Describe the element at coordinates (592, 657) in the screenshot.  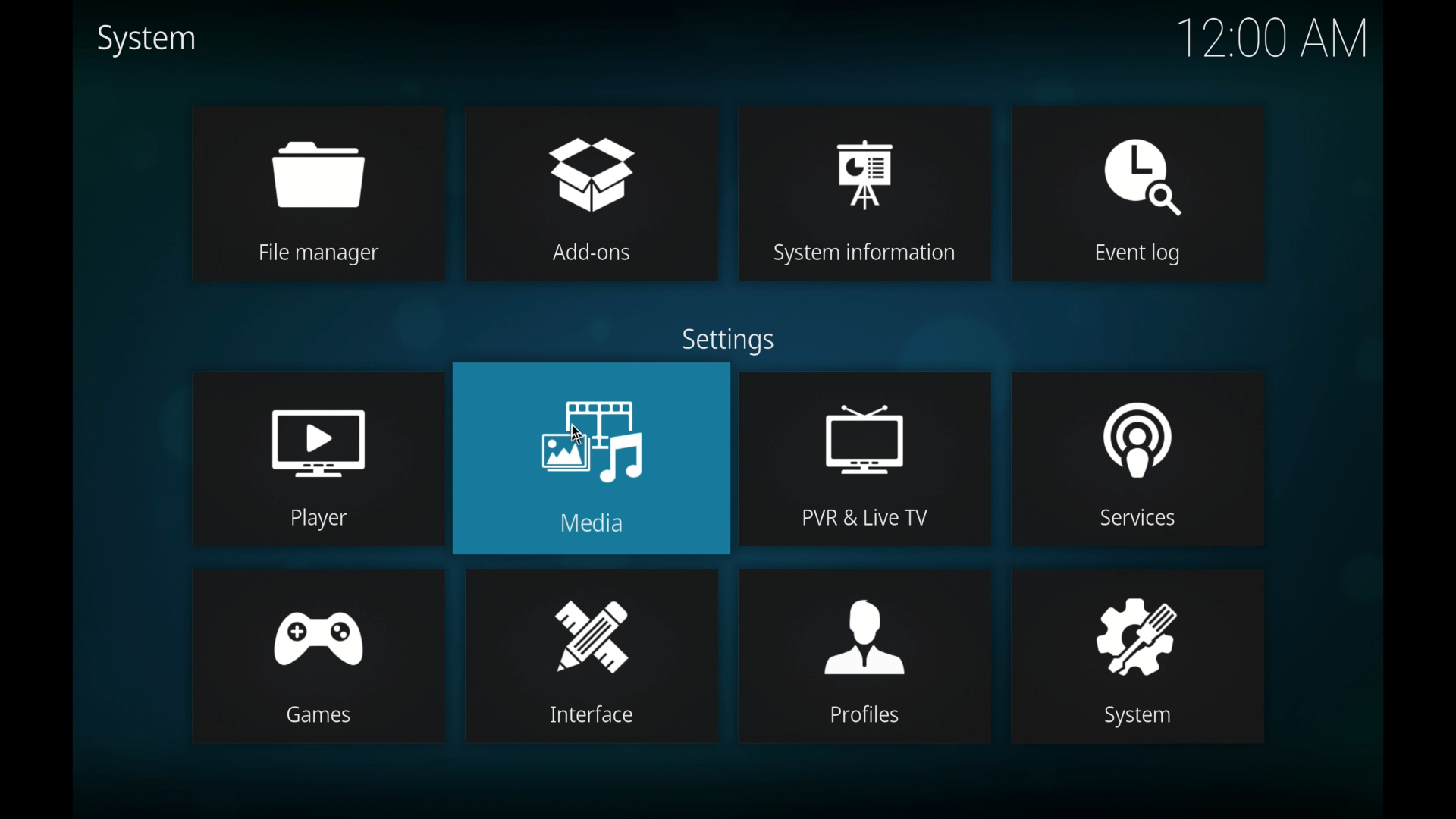
I see `interface` at that location.